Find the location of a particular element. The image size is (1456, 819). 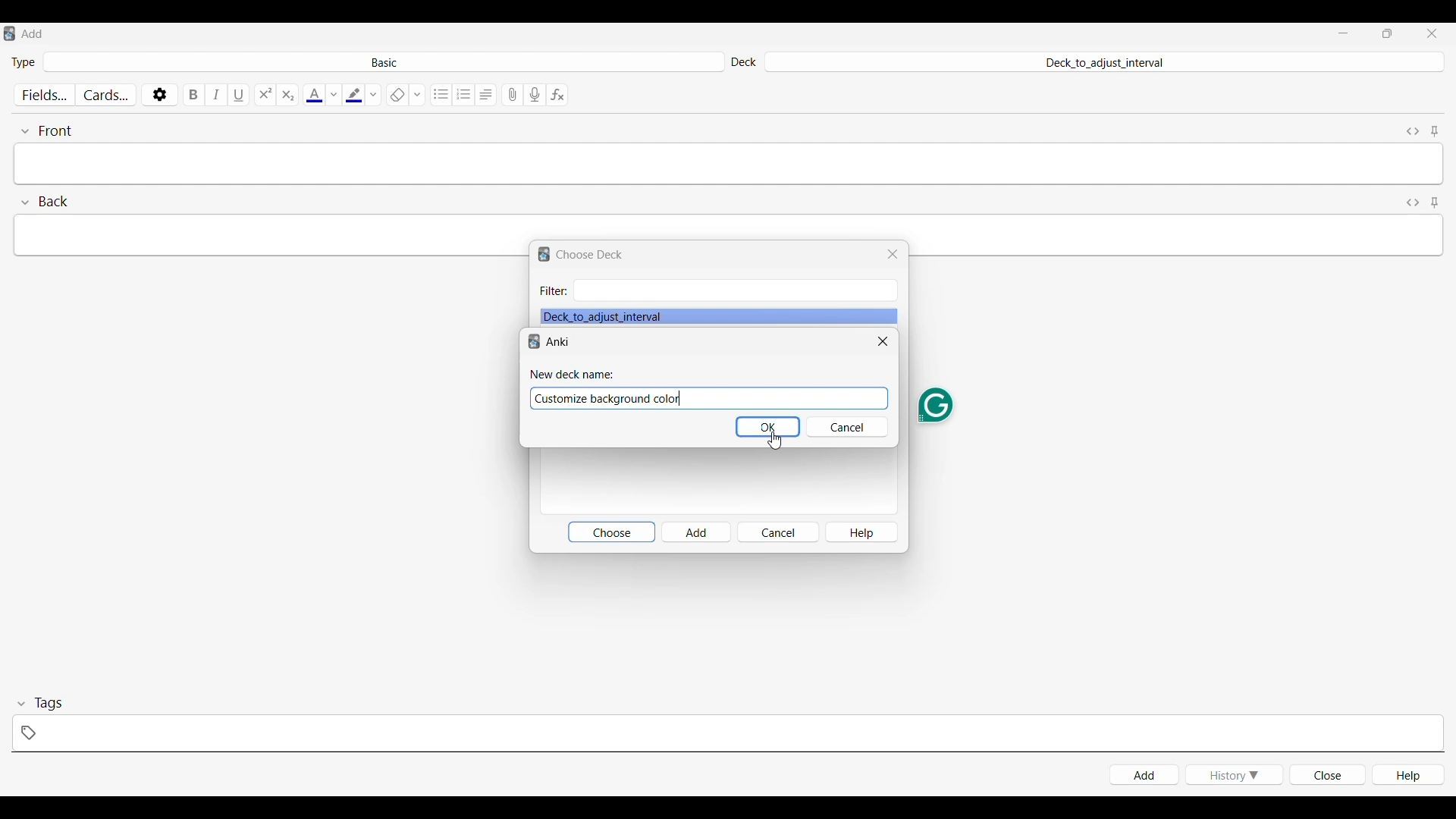

Cursor clicking on Ok is located at coordinates (775, 441).